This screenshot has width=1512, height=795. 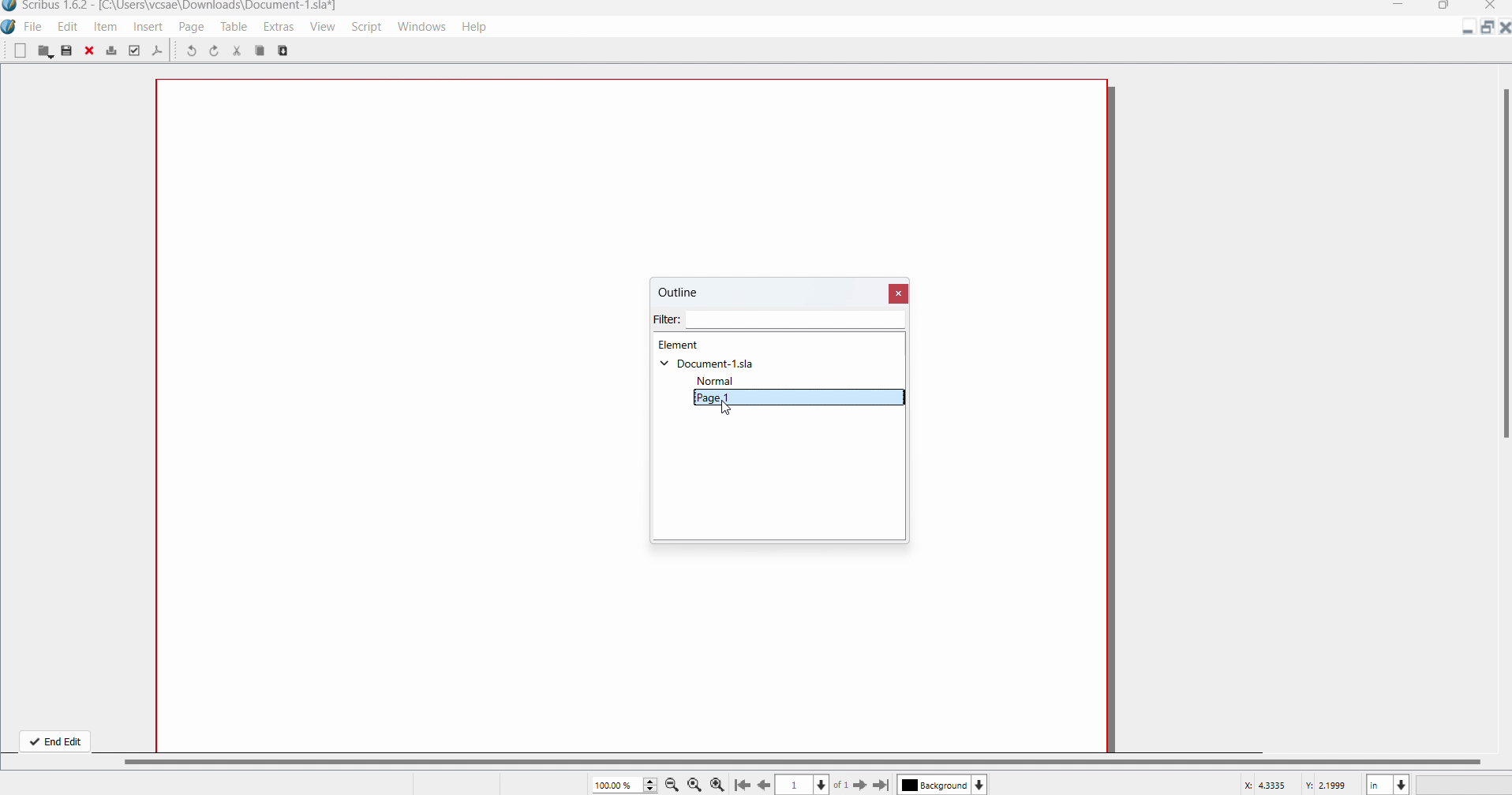 I want to click on , so click(x=107, y=28).